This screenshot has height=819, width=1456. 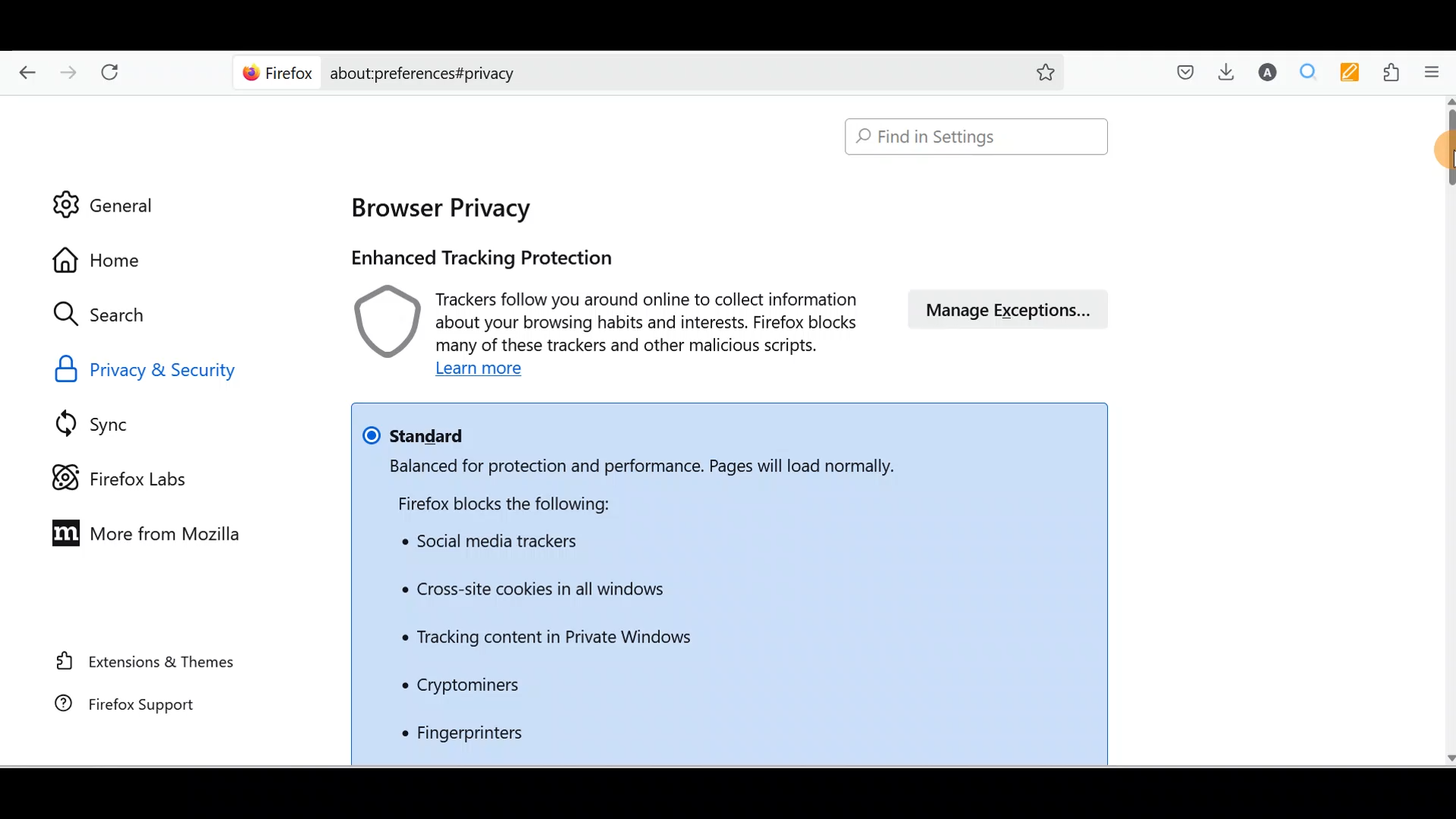 What do you see at coordinates (70, 71) in the screenshot?
I see `Go forward one page` at bounding box center [70, 71].